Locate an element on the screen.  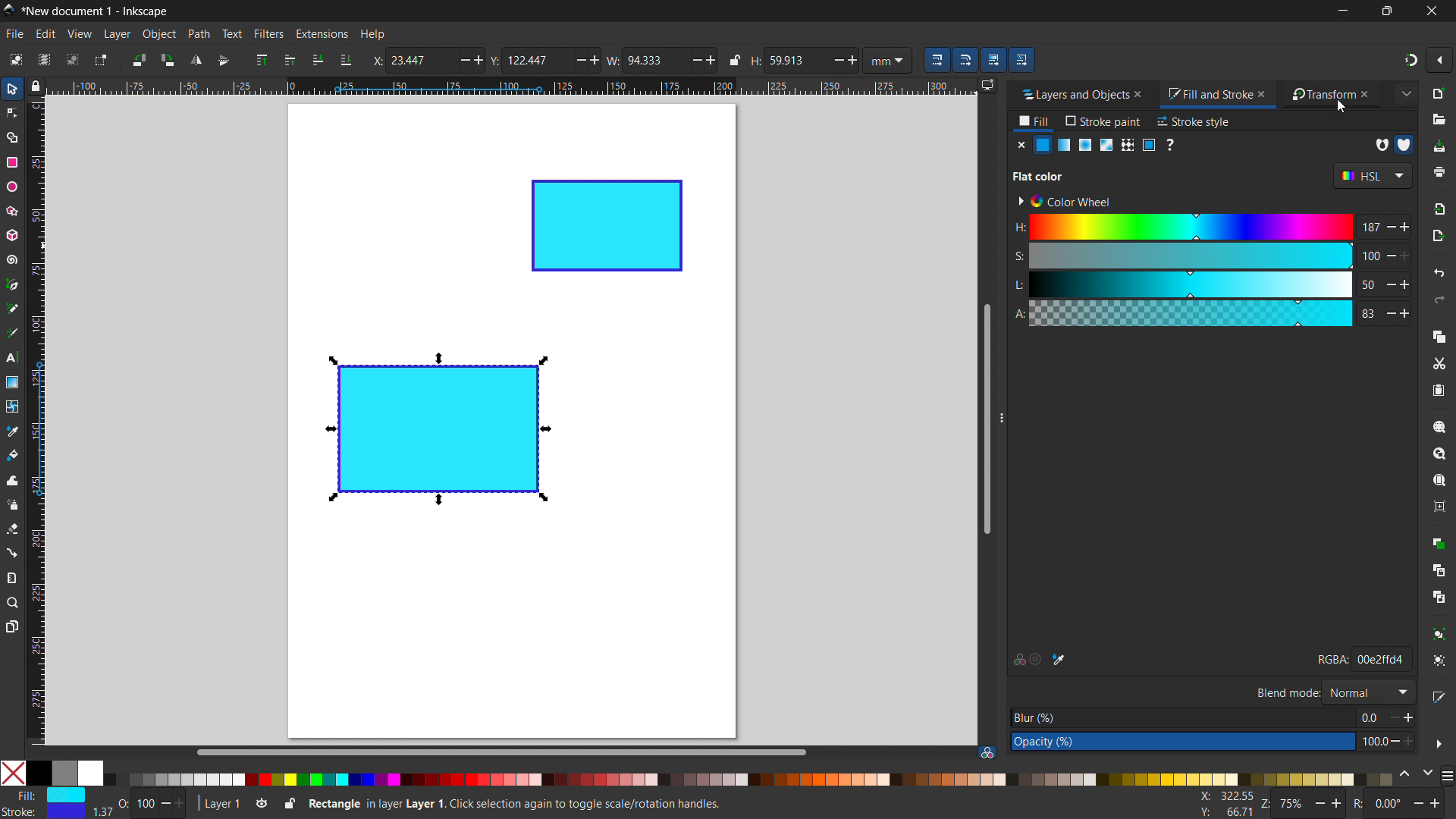
width of stroke is located at coordinates (102, 812).